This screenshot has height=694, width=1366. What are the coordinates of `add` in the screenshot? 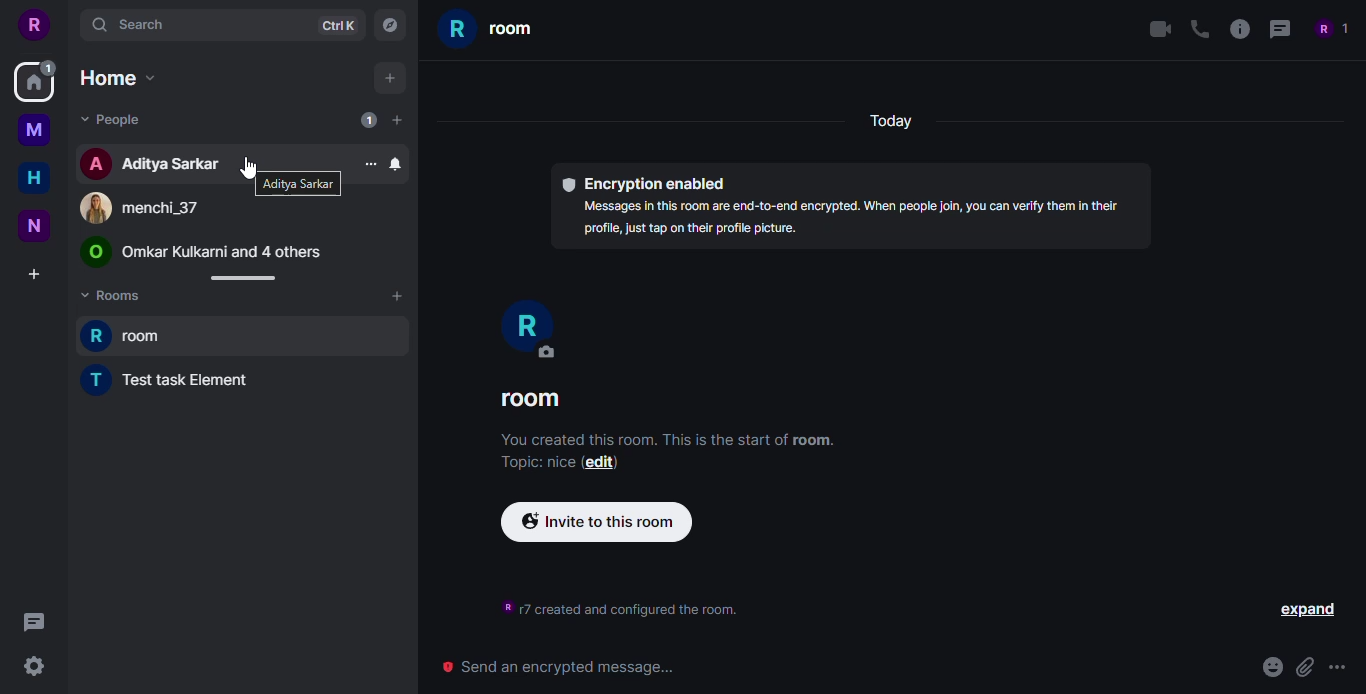 It's located at (388, 78).